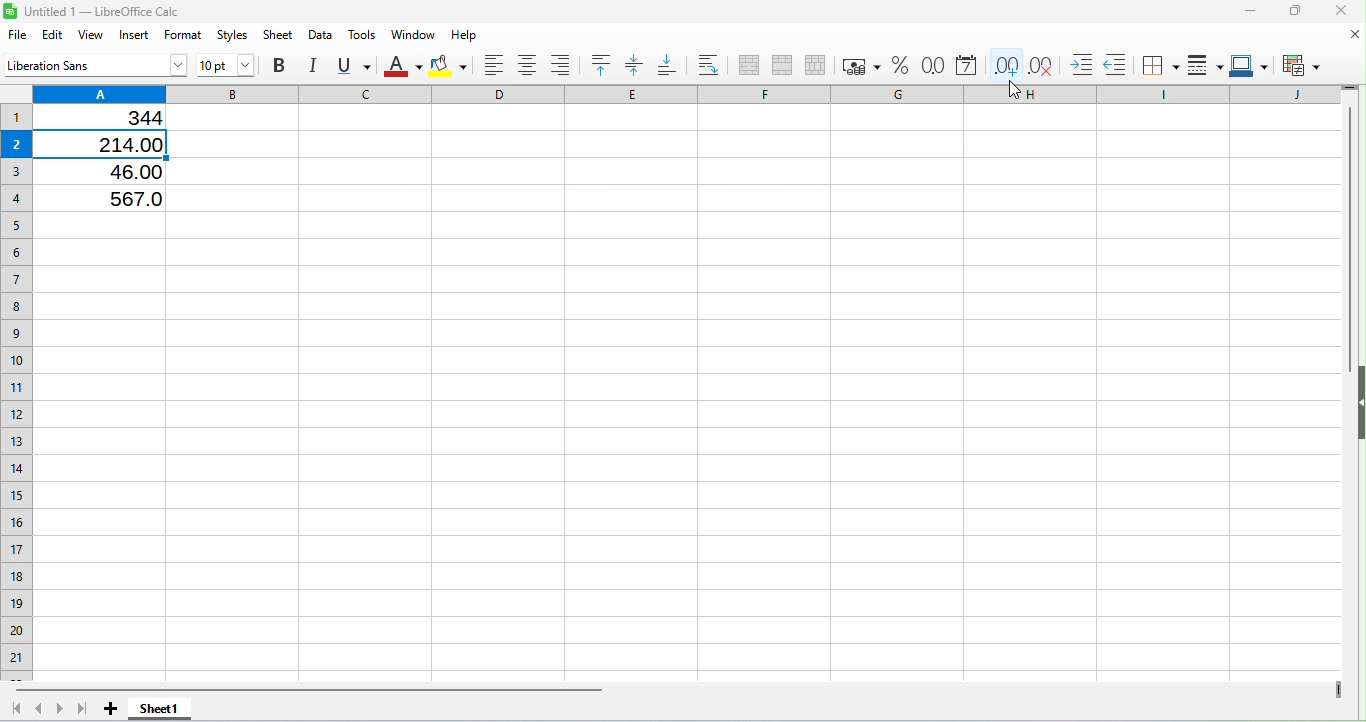 The width and height of the screenshot is (1366, 722). Describe the element at coordinates (95, 36) in the screenshot. I see `View` at that location.